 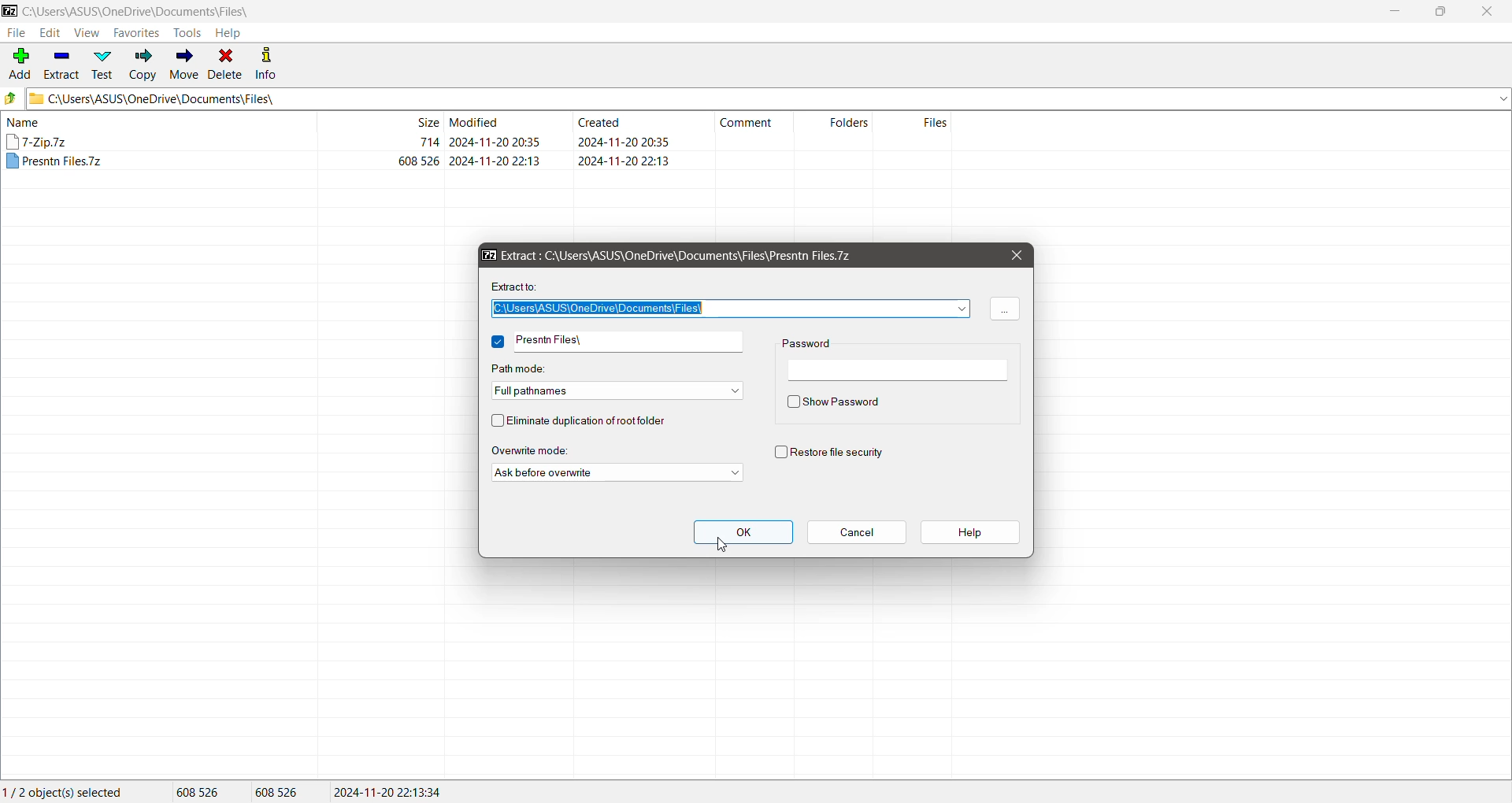 What do you see at coordinates (428, 142) in the screenshot?
I see `size` at bounding box center [428, 142].